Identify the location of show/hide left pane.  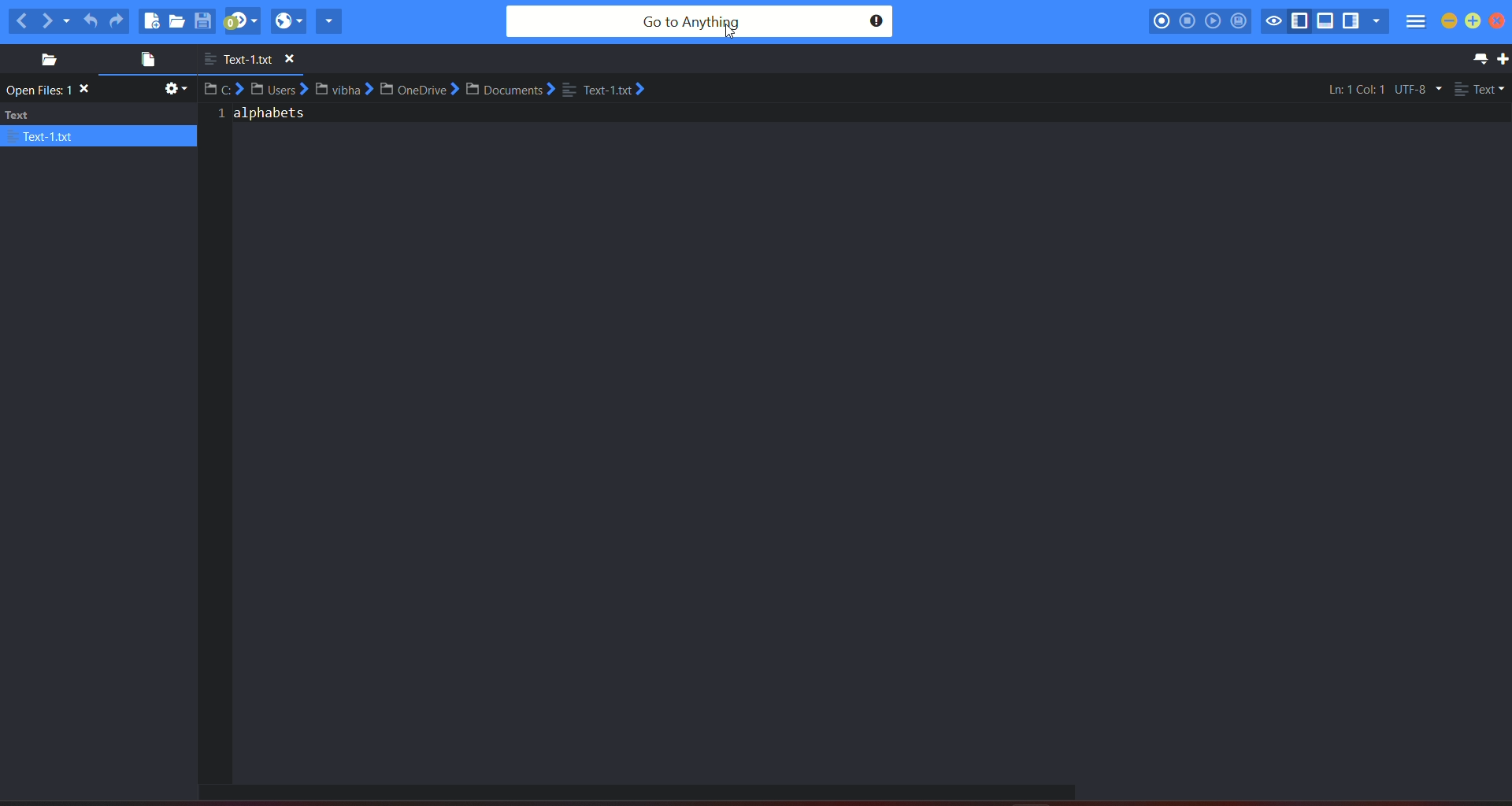
(1303, 21).